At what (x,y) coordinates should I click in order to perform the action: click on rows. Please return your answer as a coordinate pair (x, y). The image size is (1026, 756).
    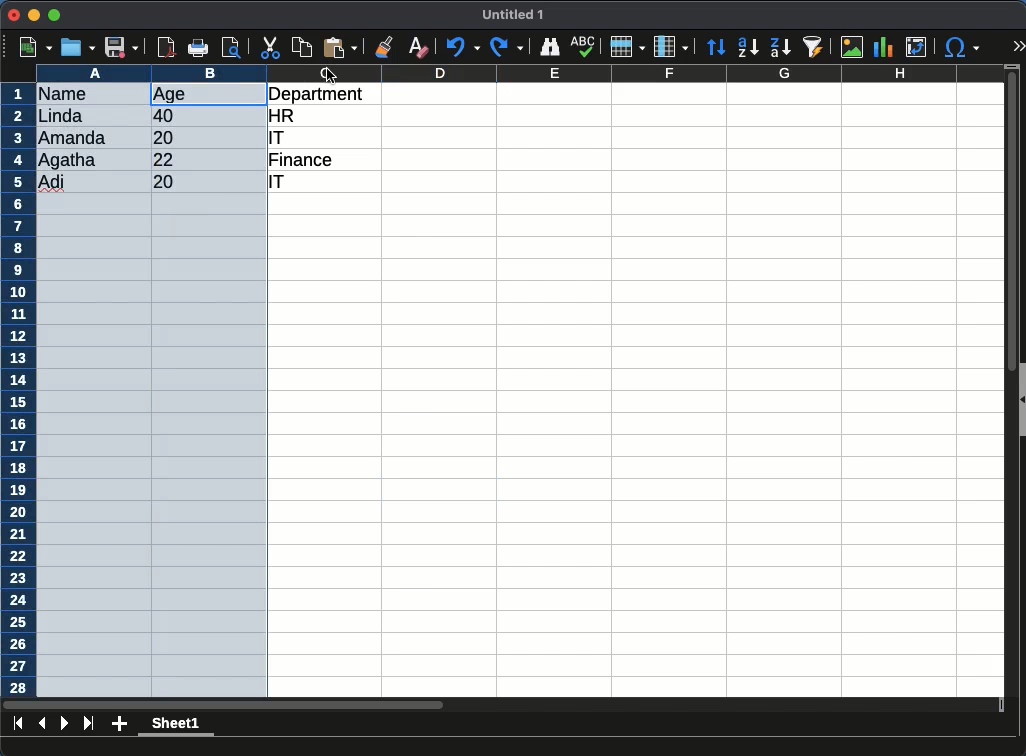
    Looking at the image, I should click on (626, 47).